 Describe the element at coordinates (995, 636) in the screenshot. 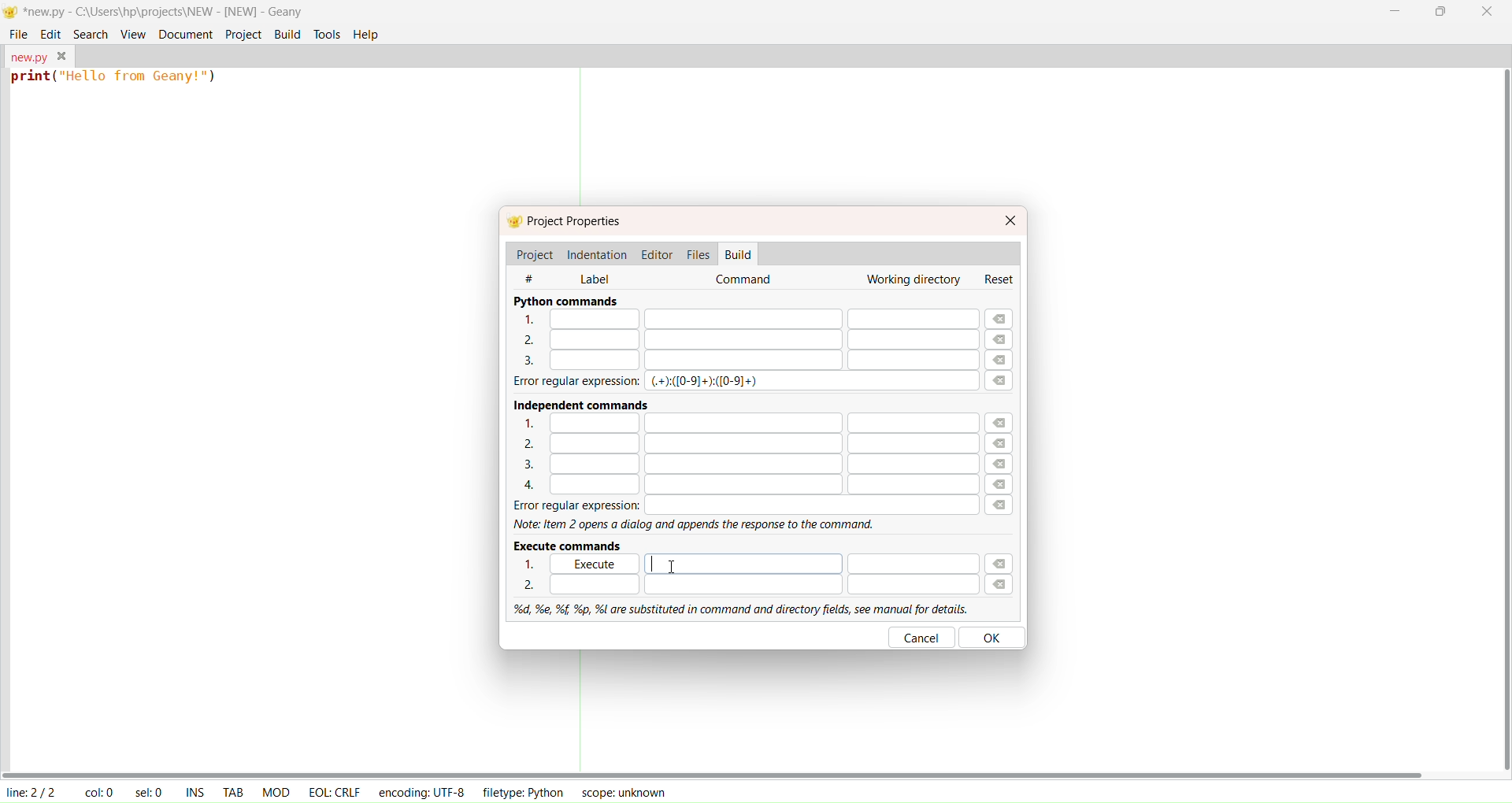

I see `ok` at that location.